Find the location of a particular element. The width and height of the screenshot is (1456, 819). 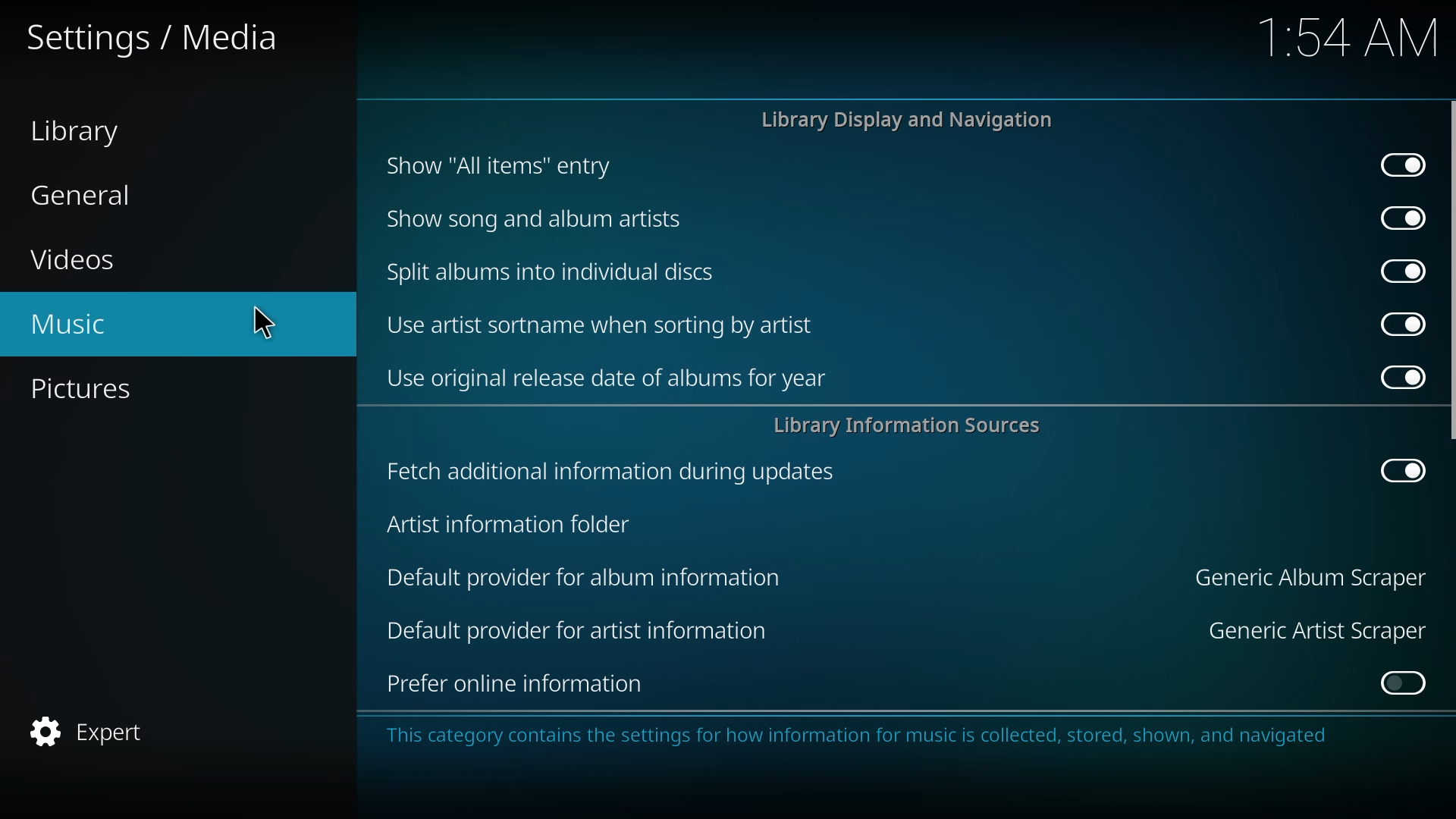

library is located at coordinates (82, 132).